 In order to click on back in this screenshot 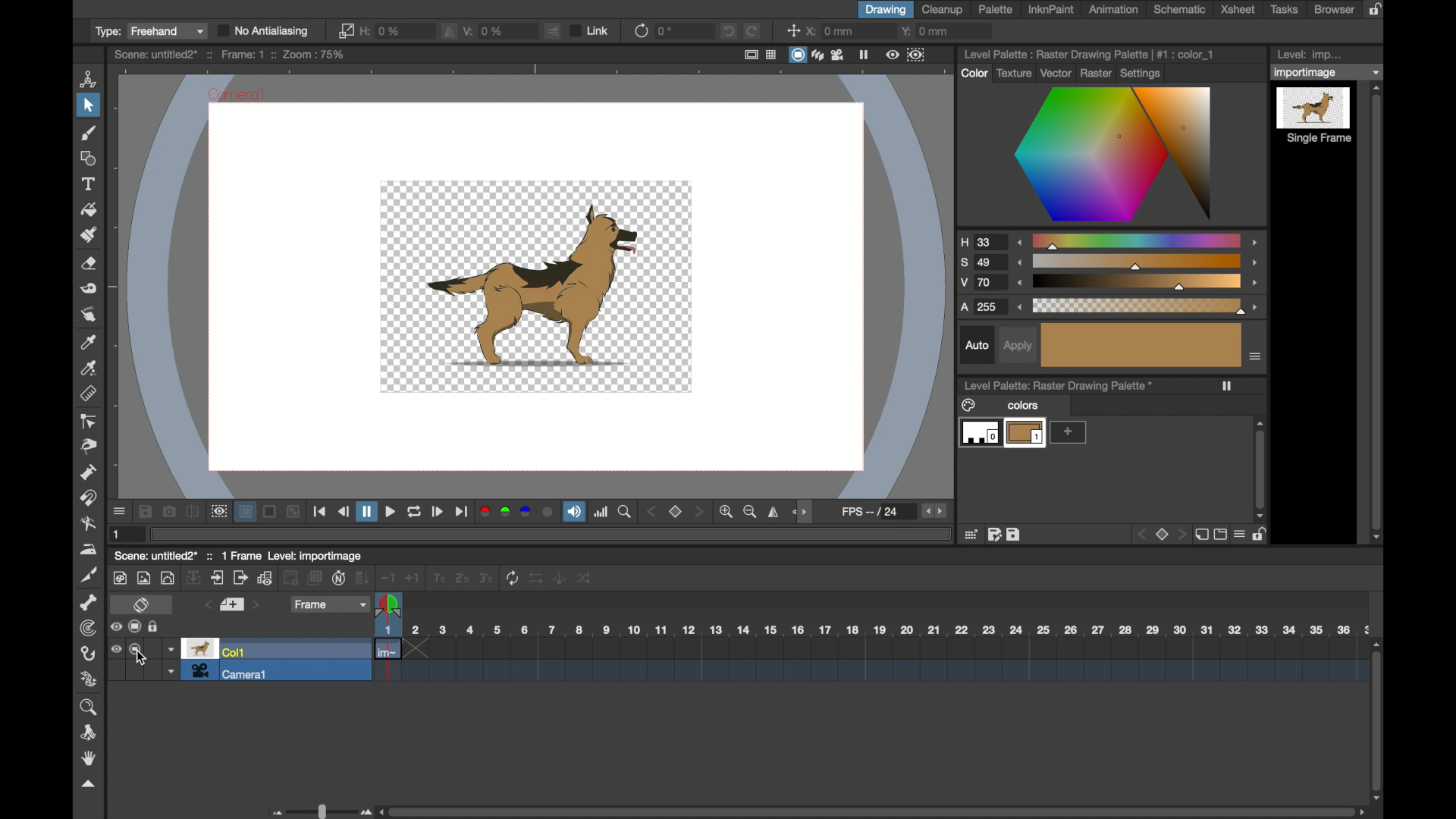, I will do `click(344, 511)`.